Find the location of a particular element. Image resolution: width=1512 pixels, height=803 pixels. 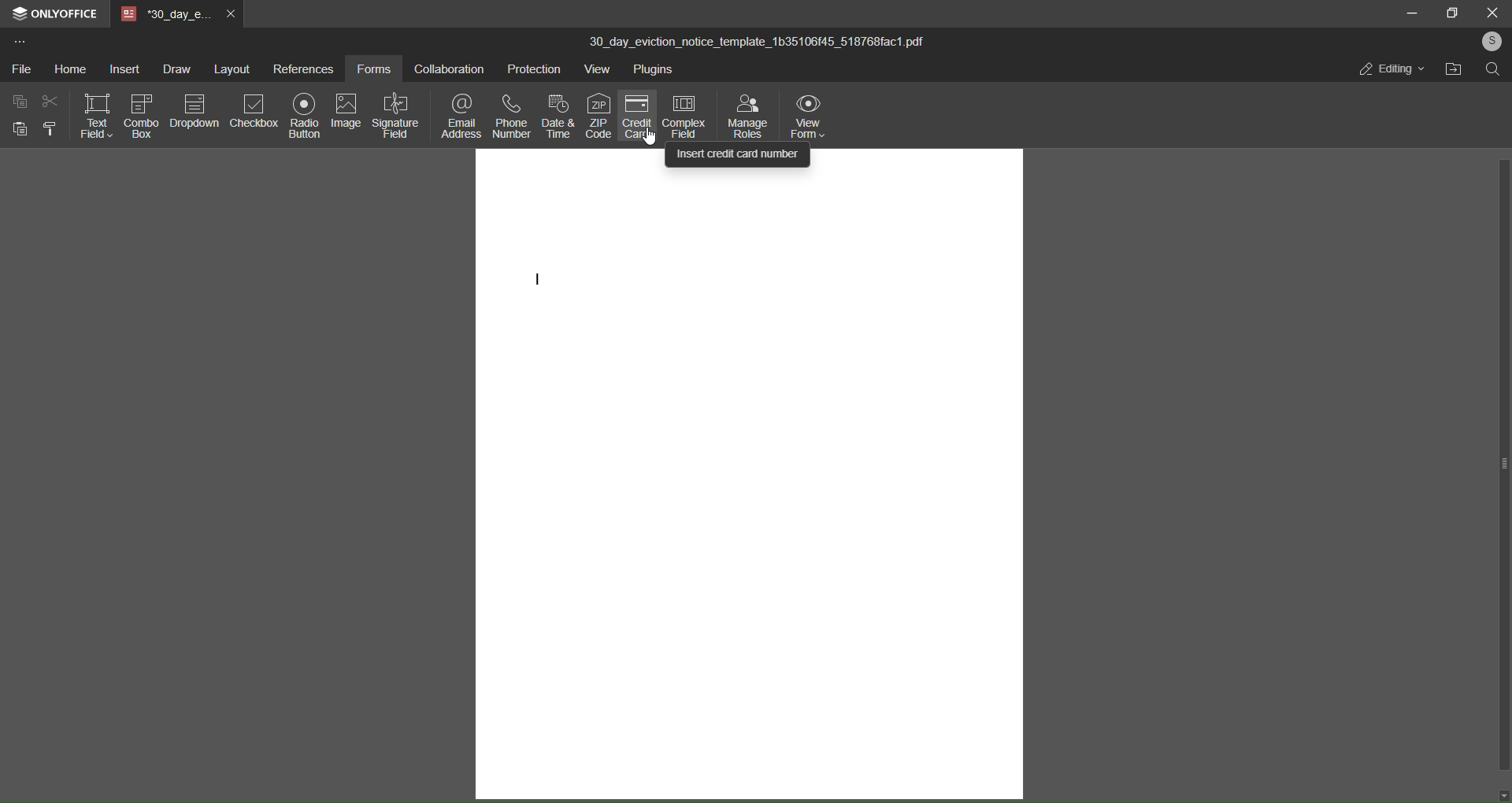

references is located at coordinates (303, 68).